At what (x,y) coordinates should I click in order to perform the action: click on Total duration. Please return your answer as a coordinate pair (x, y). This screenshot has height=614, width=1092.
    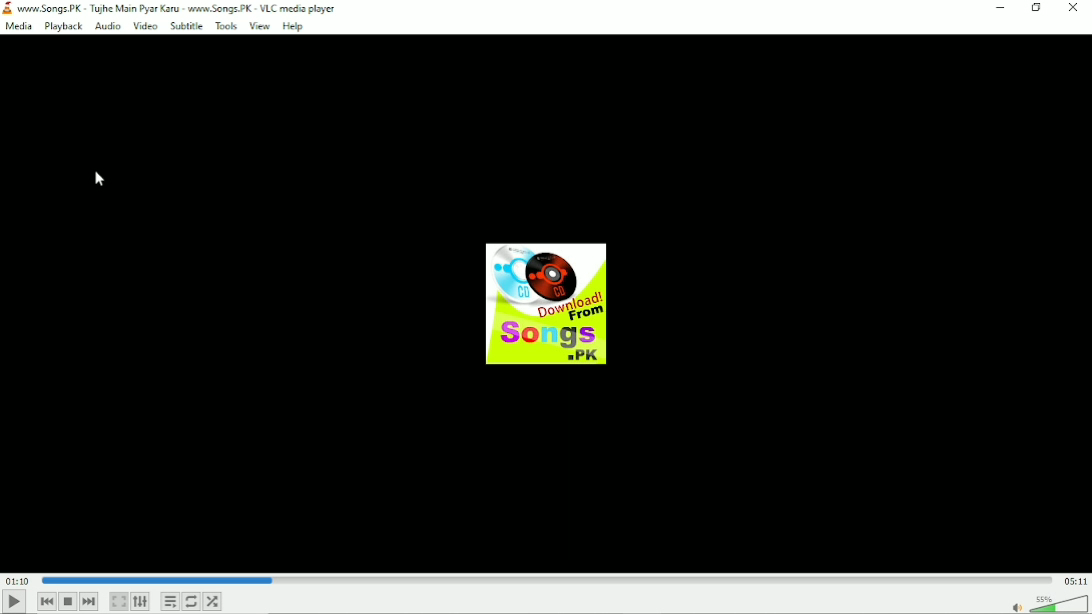
    Looking at the image, I should click on (1074, 580).